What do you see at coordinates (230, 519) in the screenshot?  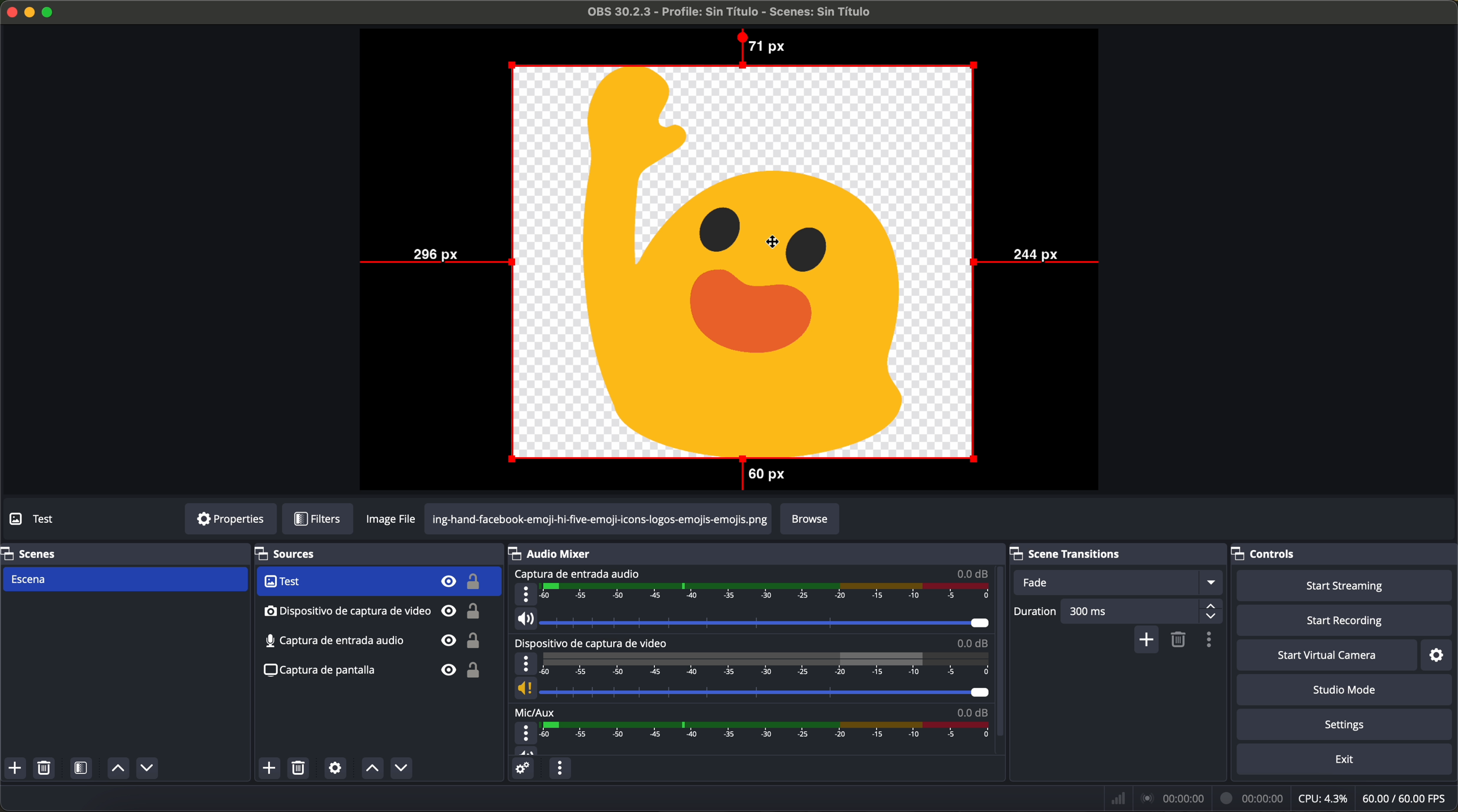 I see `properties` at bounding box center [230, 519].